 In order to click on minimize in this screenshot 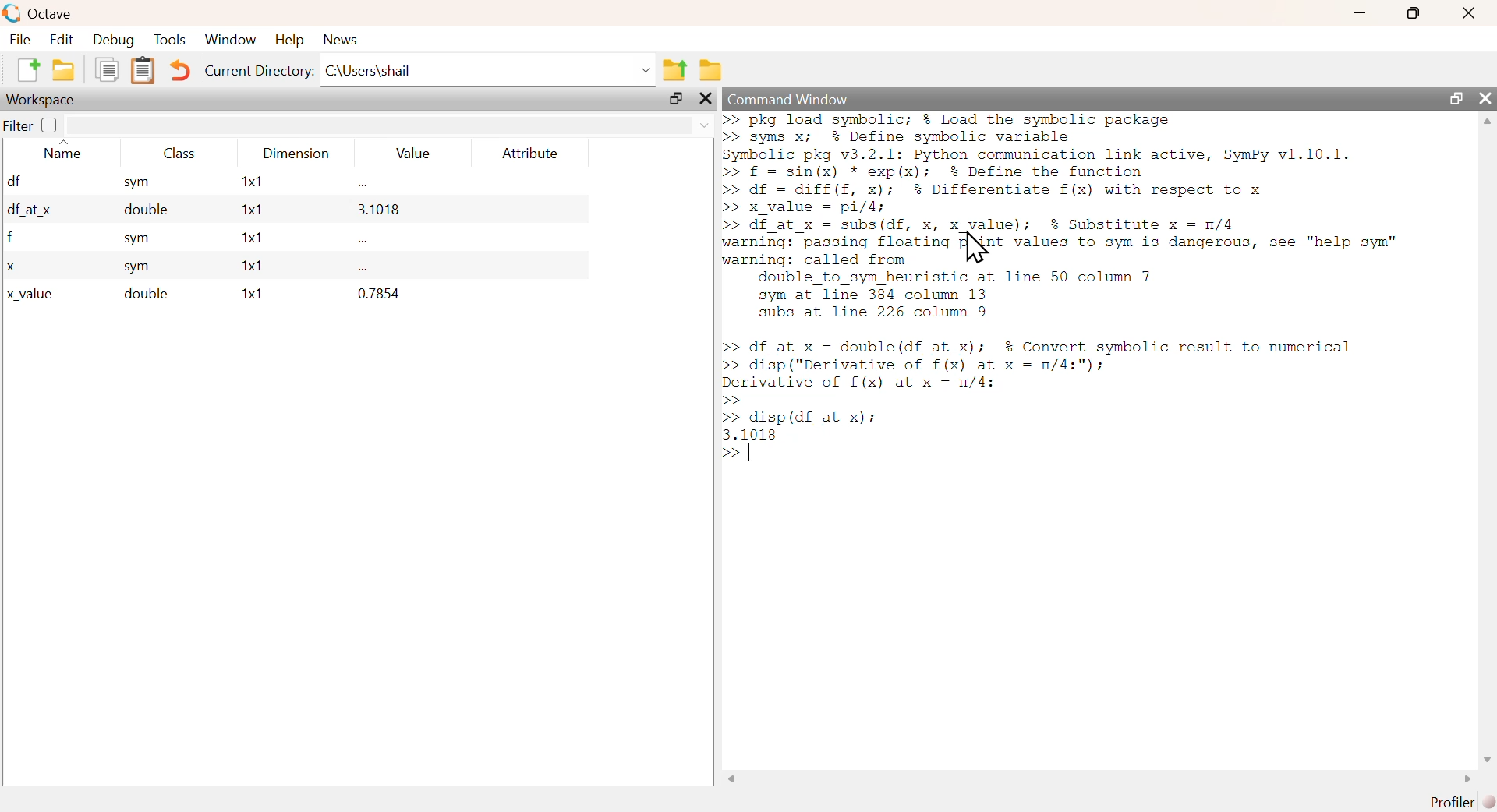, I will do `click(1360, 13)`.